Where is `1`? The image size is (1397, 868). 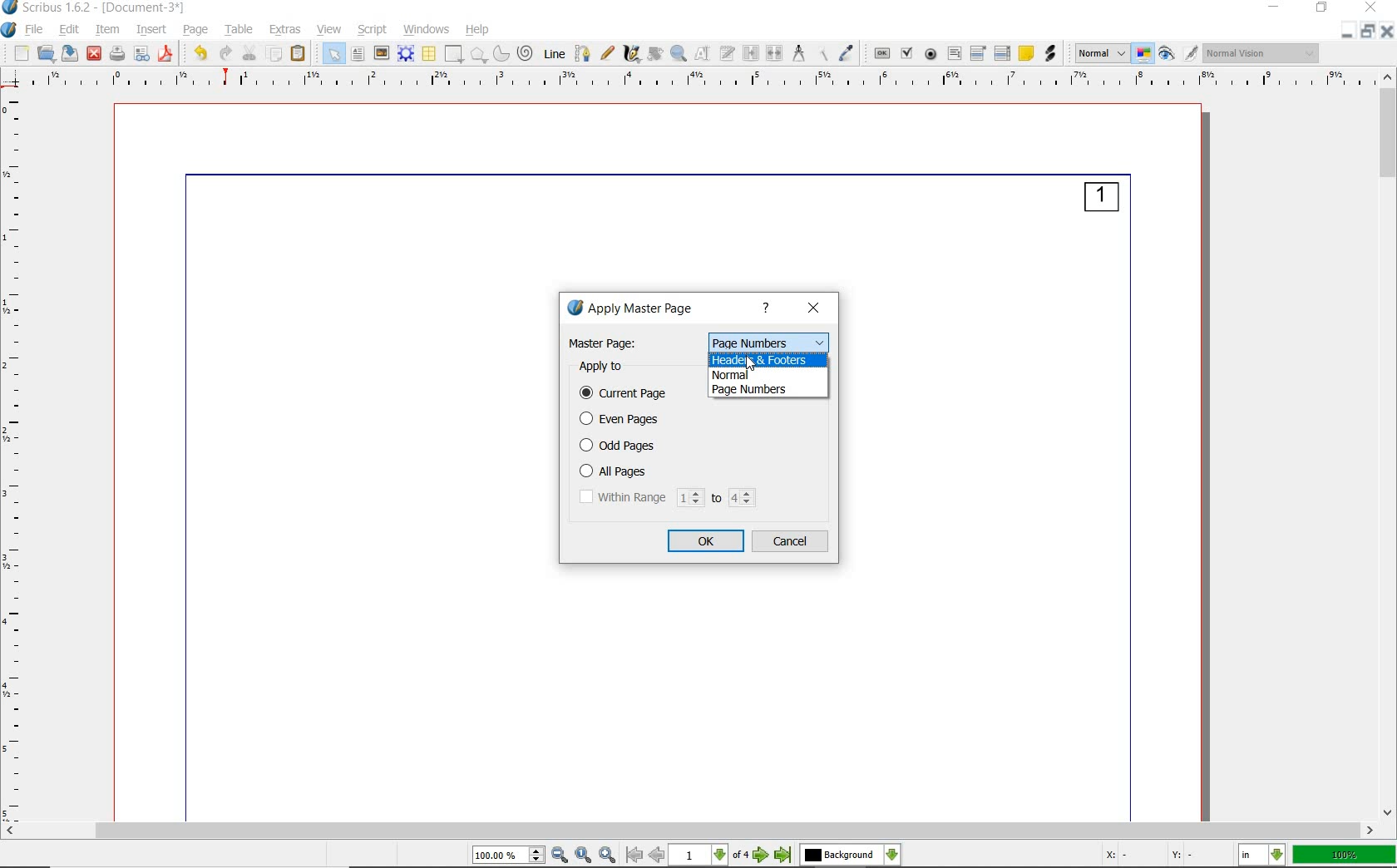 1 is located at coordinates (1101, 200).